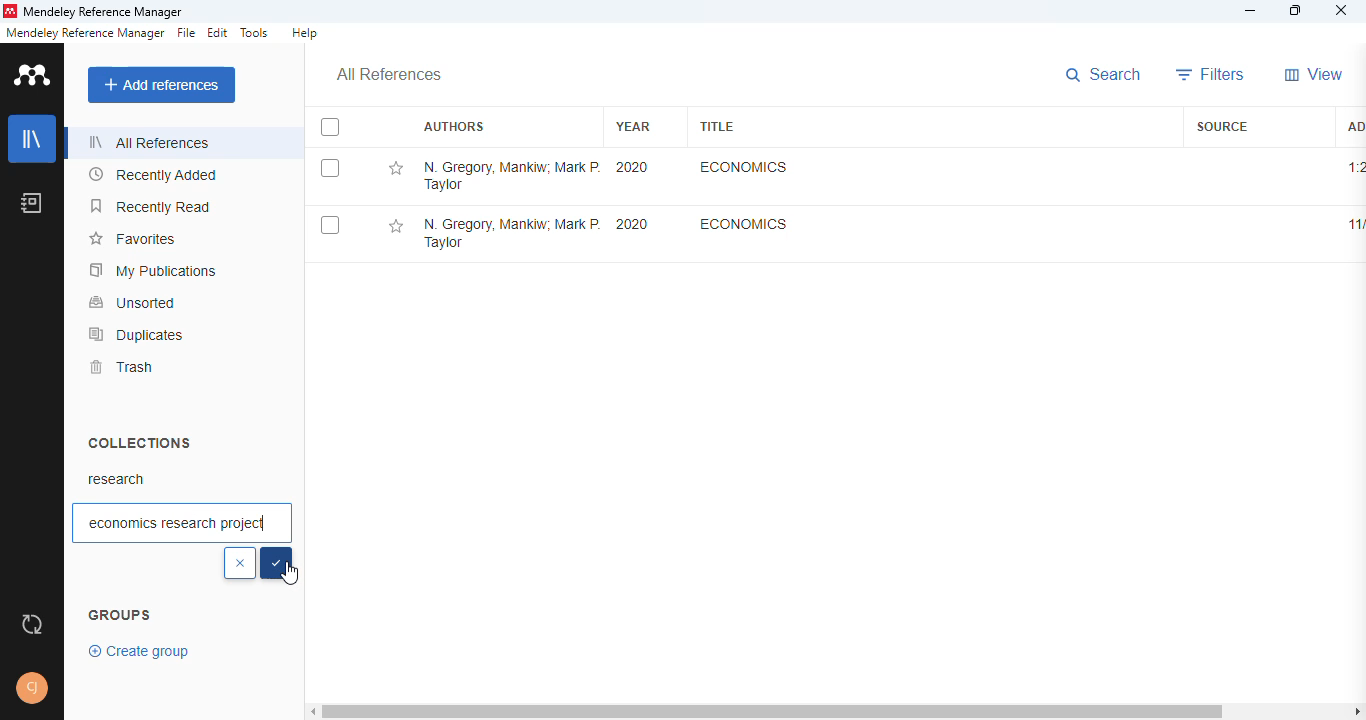 This screenshot has width=1366, height=720. Describe the element at coordinates (291, 574) in the screenshot. I see `cursor` at that location.